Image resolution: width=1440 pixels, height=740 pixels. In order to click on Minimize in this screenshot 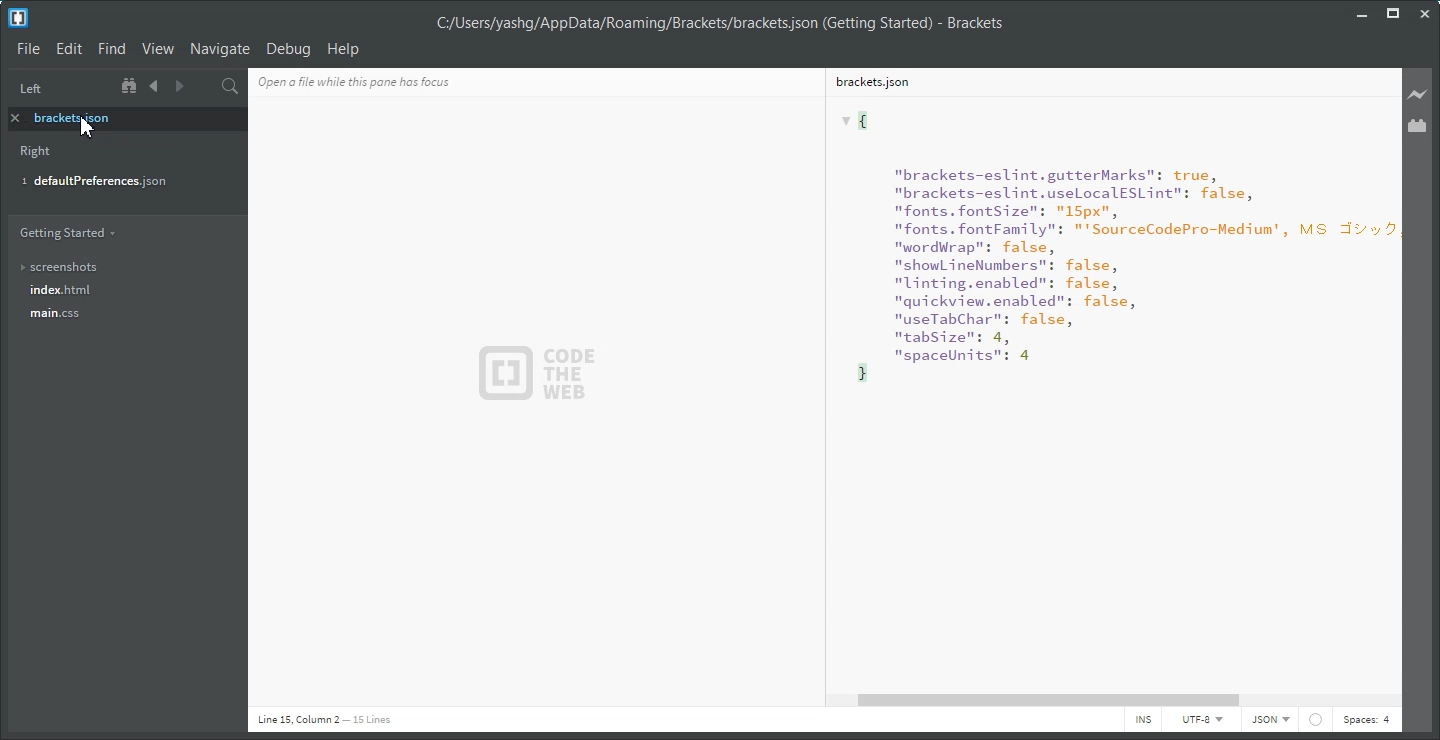, I will do `click(1363, 12)`.